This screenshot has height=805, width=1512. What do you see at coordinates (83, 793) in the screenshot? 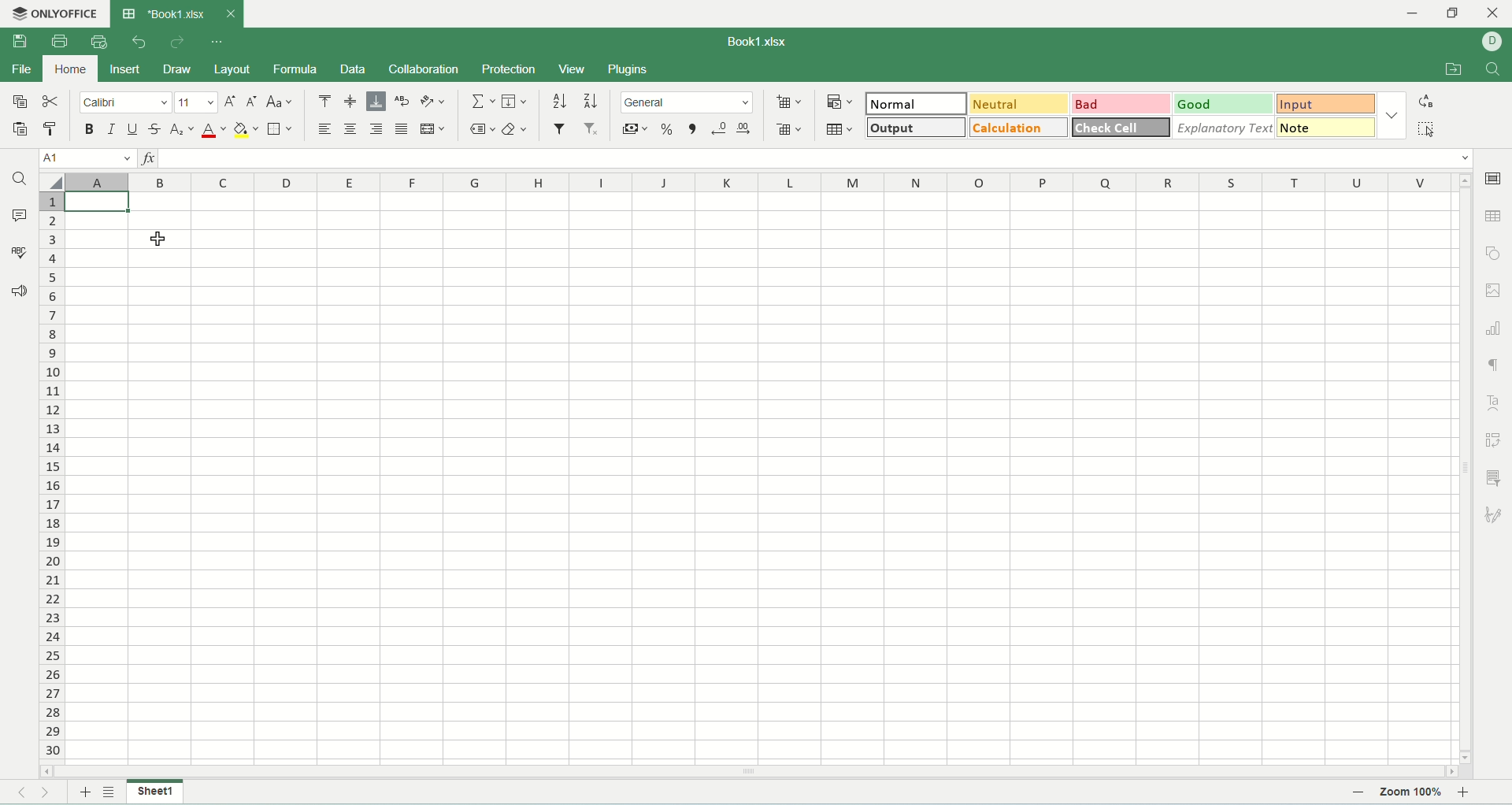
I see `new sheet` at bounding box center [83, 793].